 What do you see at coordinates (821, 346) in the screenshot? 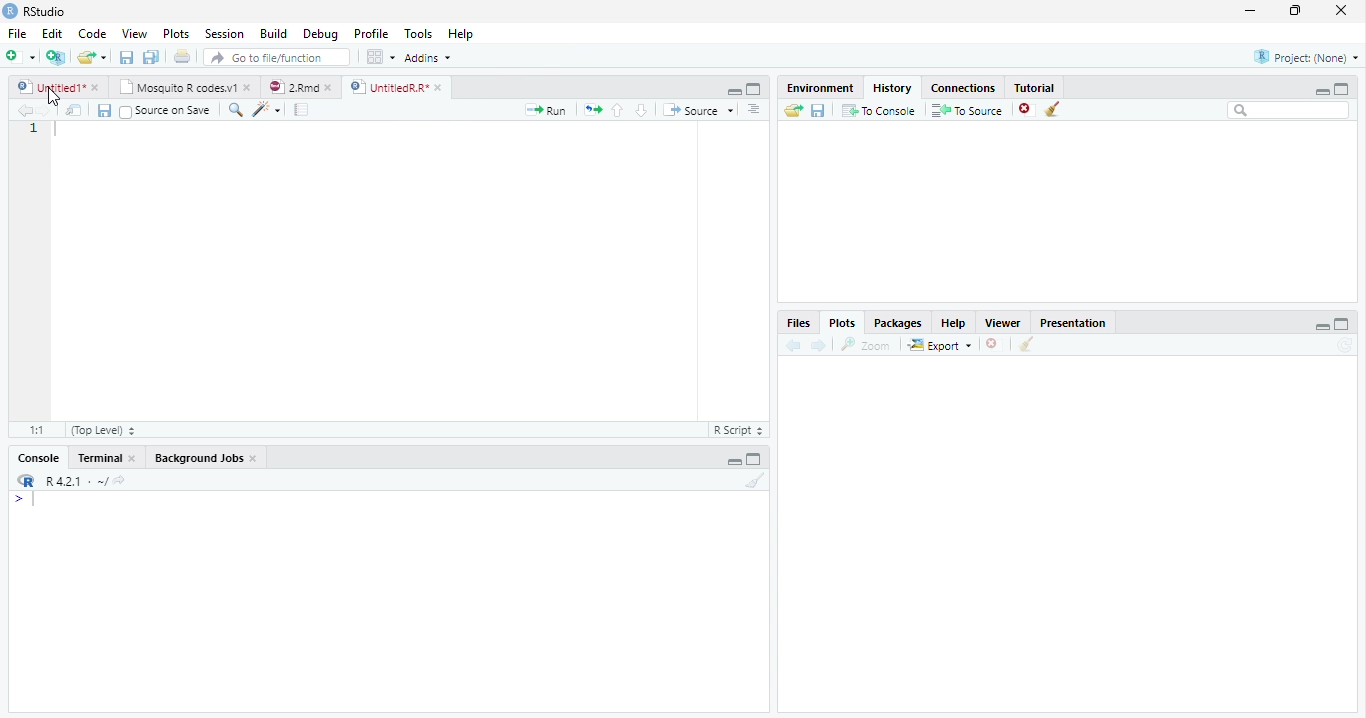
I see `Next` at bounding box center [821, 346].